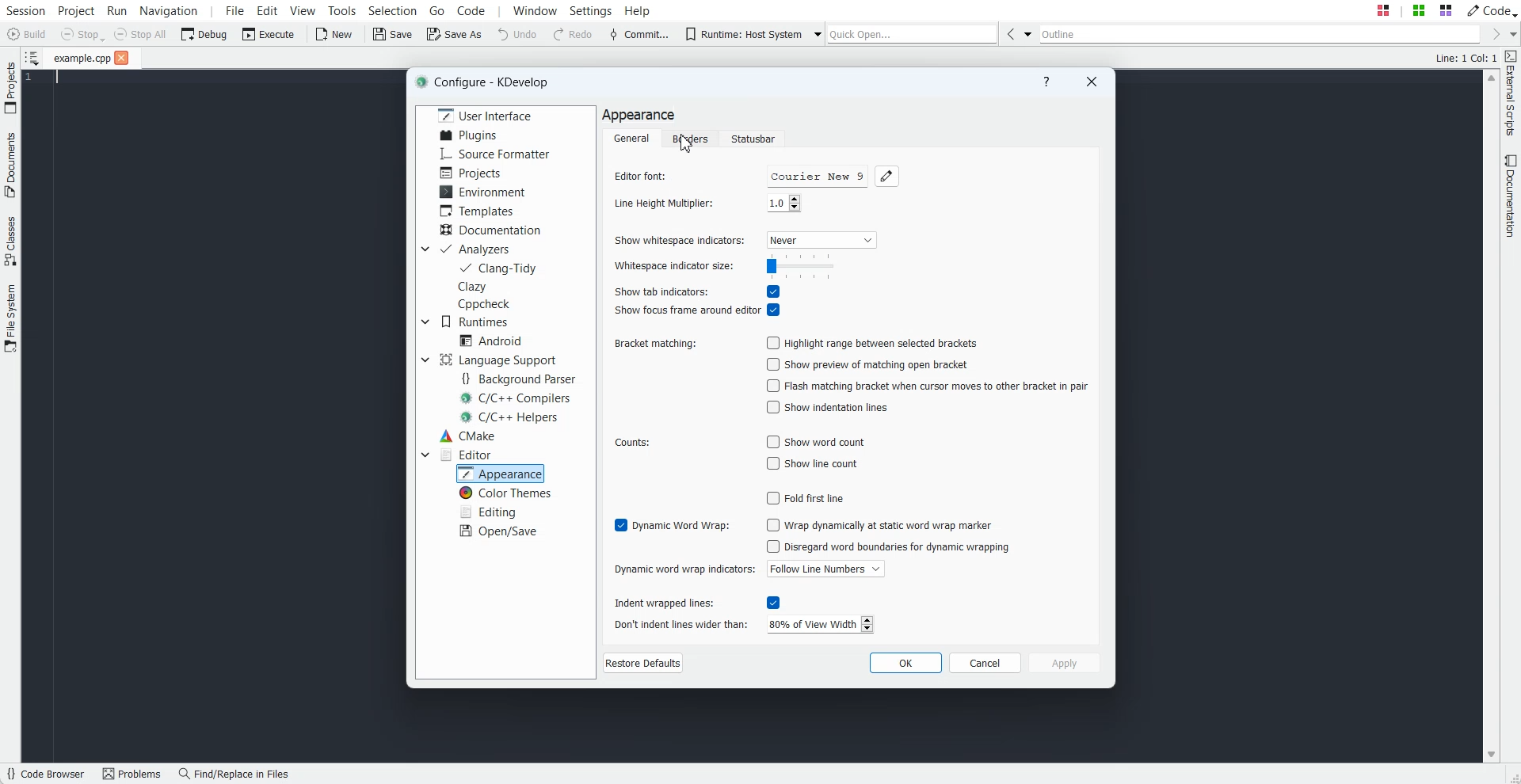 This screenshot has height=784, width=1521. What do you see at coordinates (753, 138) in the screenshot?
I see `Statusbar` at bounding box center [753, 138].